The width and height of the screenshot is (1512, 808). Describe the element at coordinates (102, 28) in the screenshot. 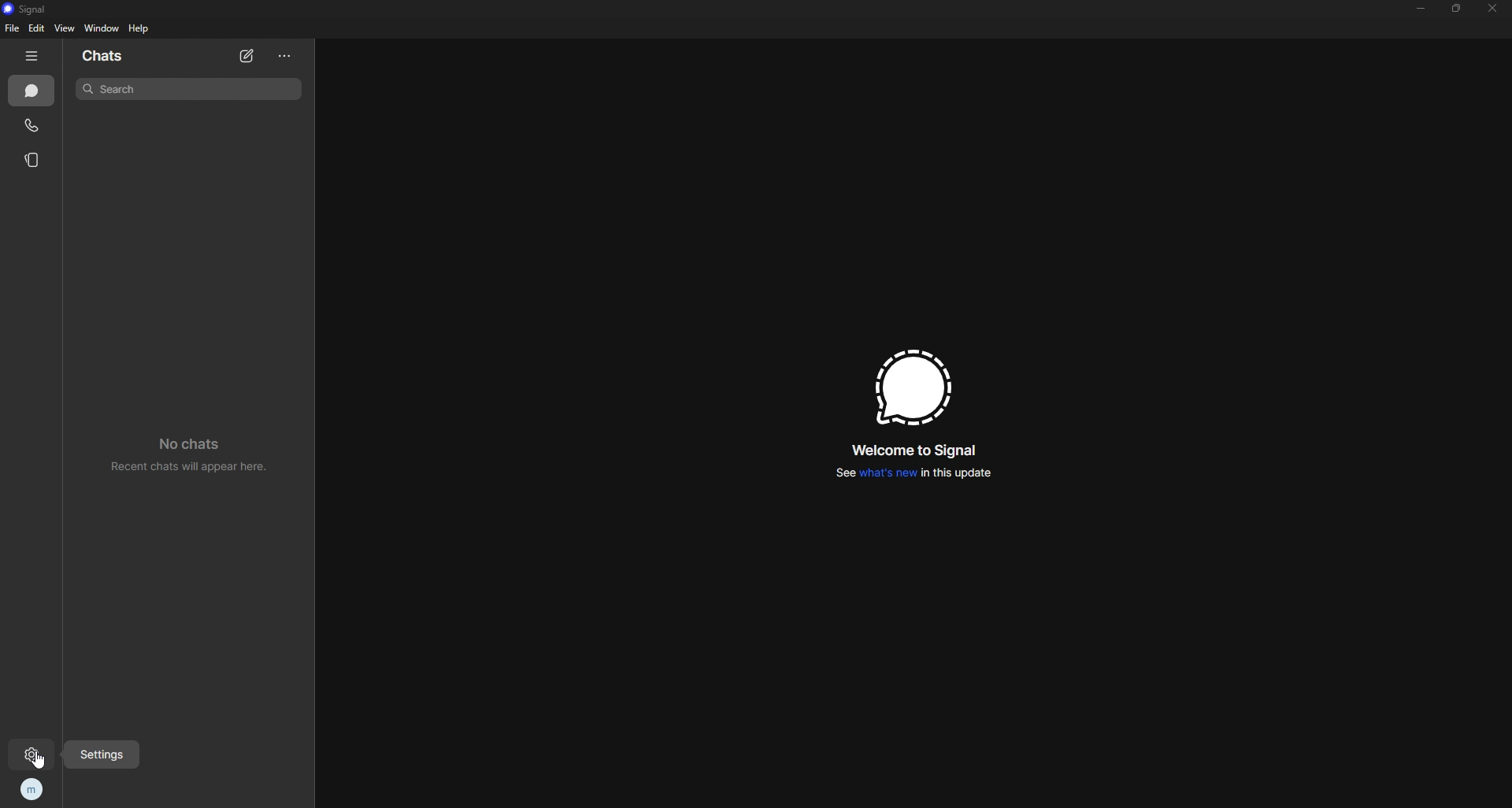

I see `window` at that location.